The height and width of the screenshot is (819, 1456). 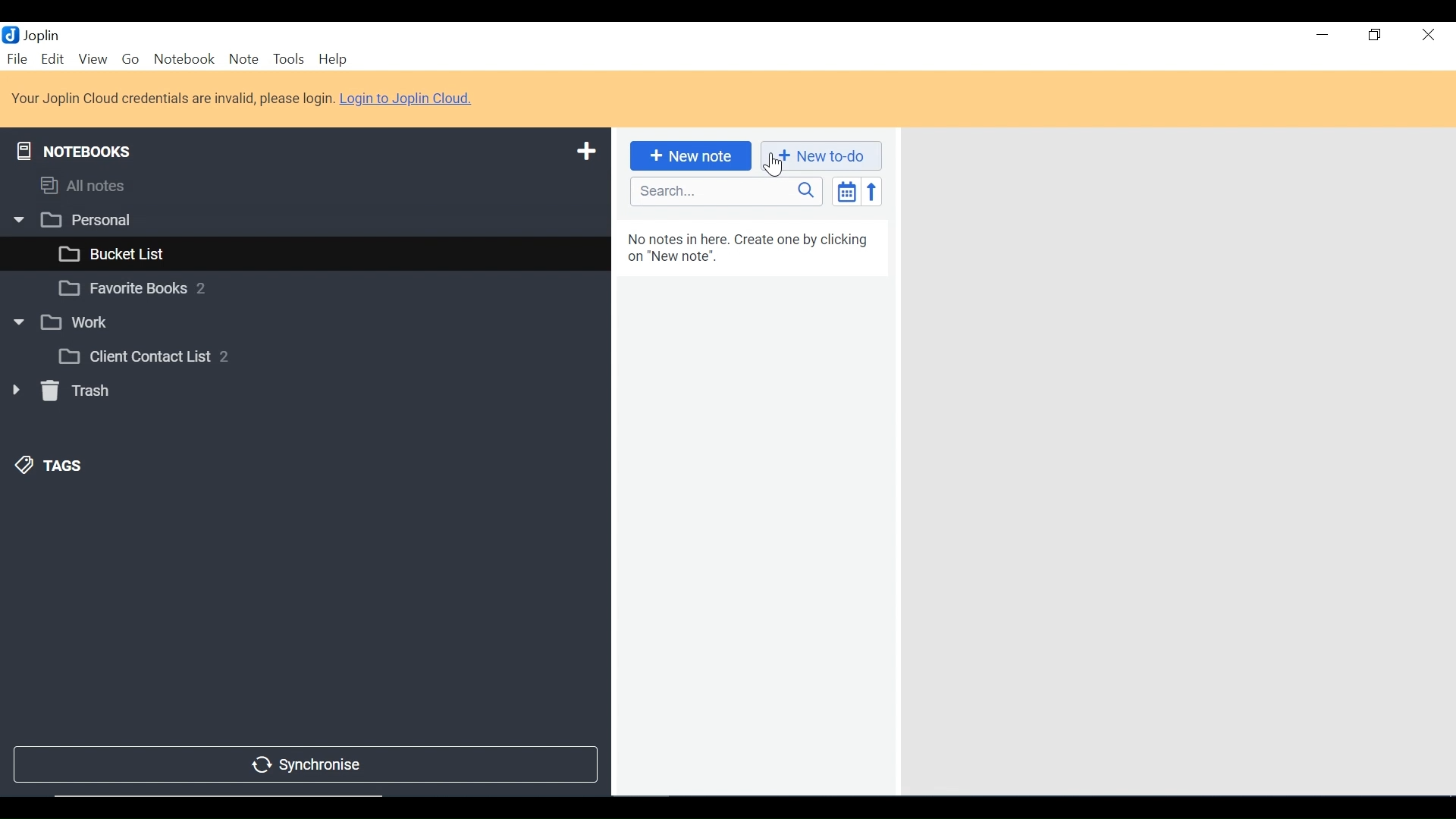 I want to click on Synchronise, so click(x=303, y=766).